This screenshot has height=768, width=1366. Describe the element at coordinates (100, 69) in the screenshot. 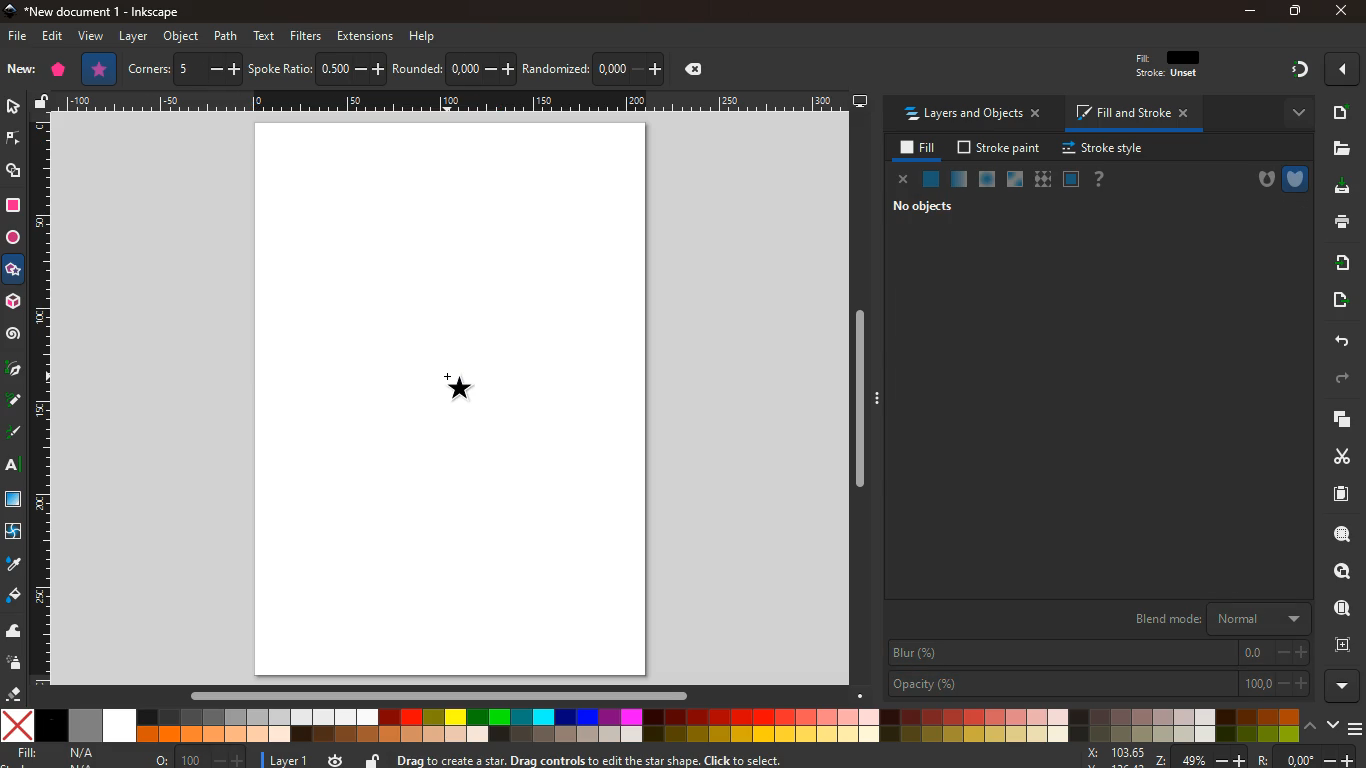

I see `star` at that location.